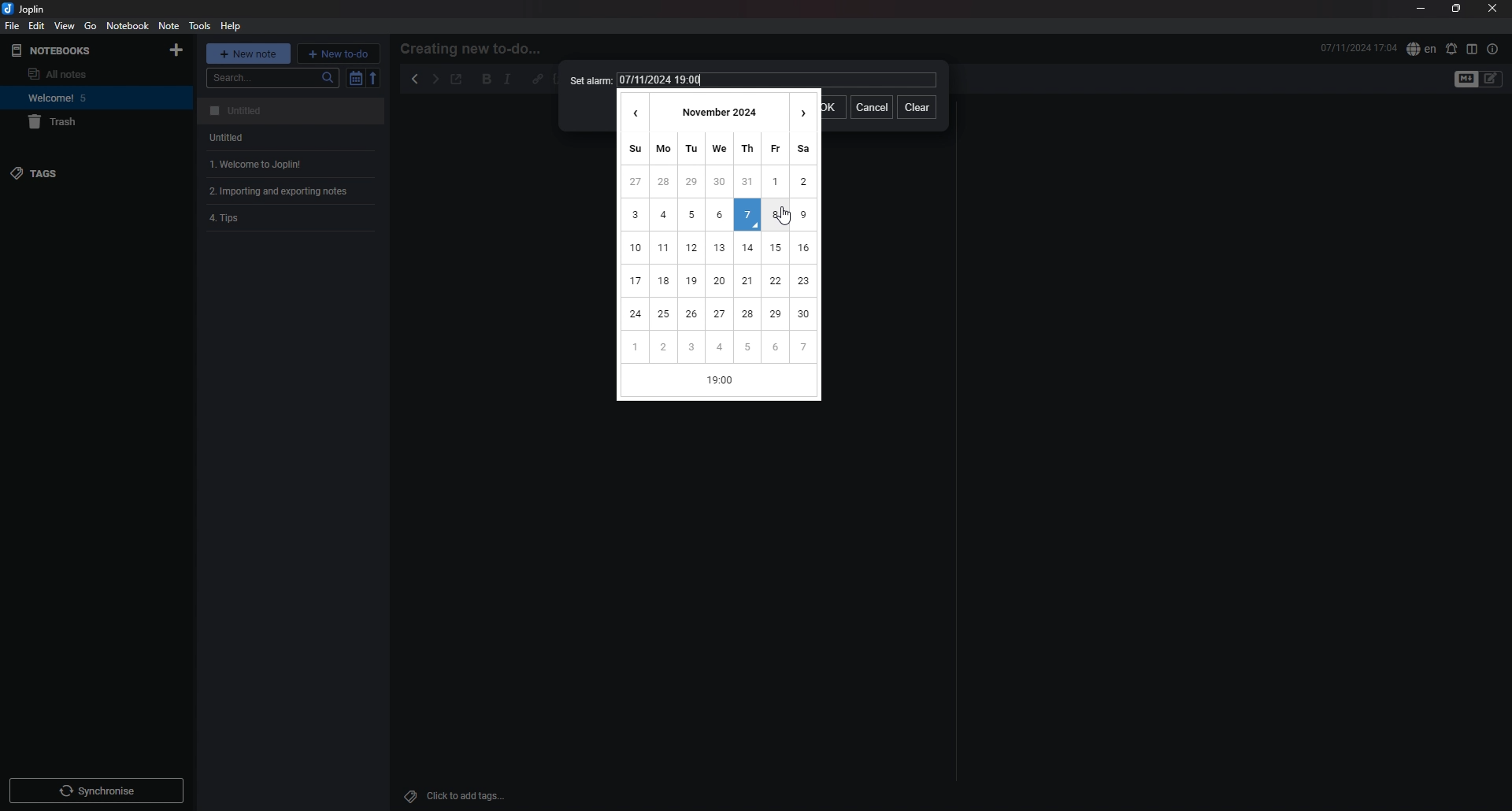 This screenshot has height=811, width=1512. I want to click on time selection, so click(721, 383).